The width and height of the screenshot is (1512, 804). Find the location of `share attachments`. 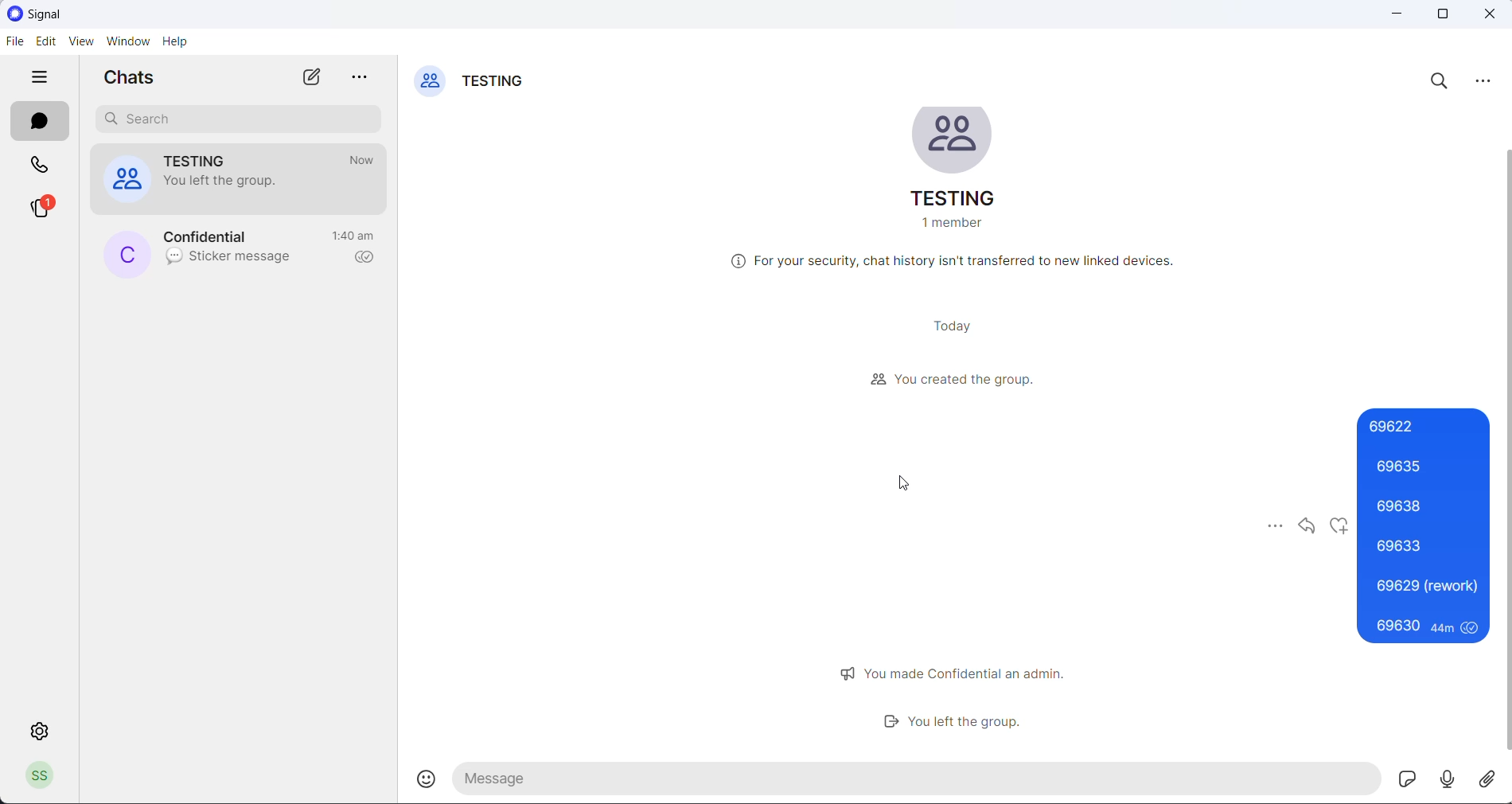

share attachments is located at coordinates (1493, 777).